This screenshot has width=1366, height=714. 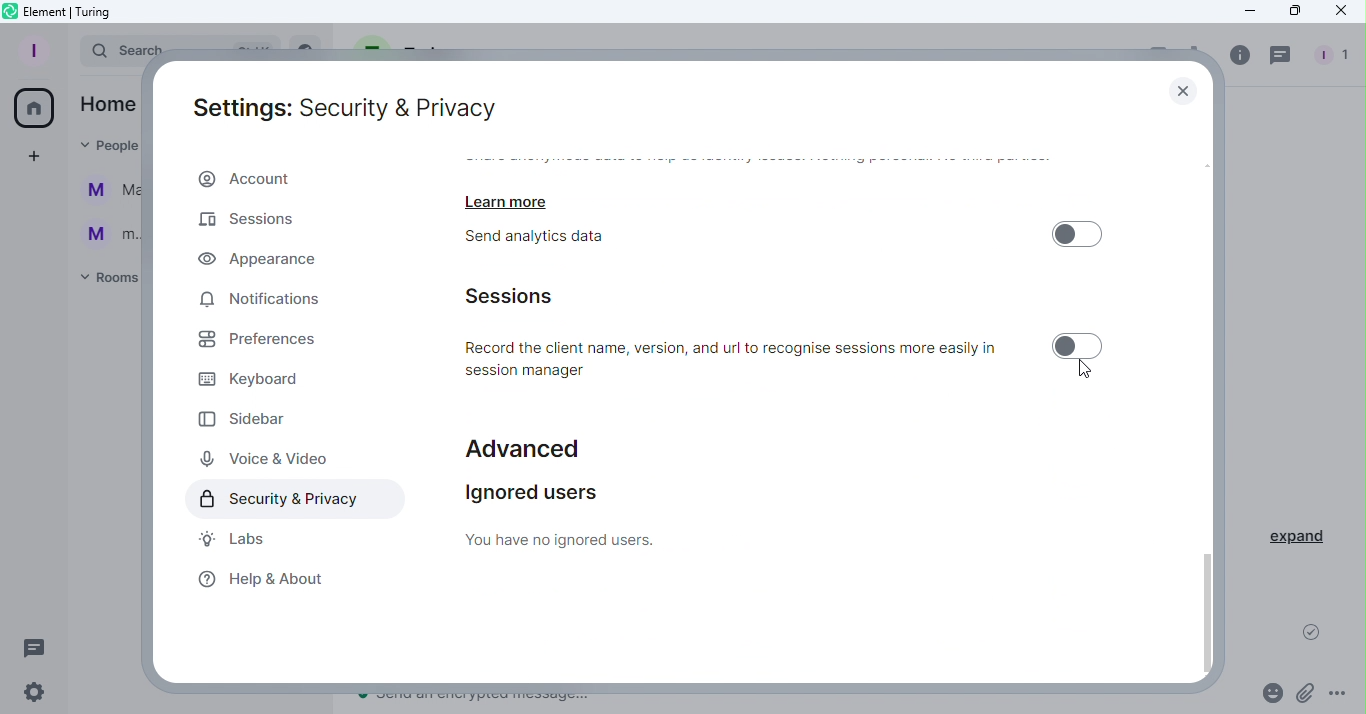 I want to click on Sidebar, so click(x=249, y=419).